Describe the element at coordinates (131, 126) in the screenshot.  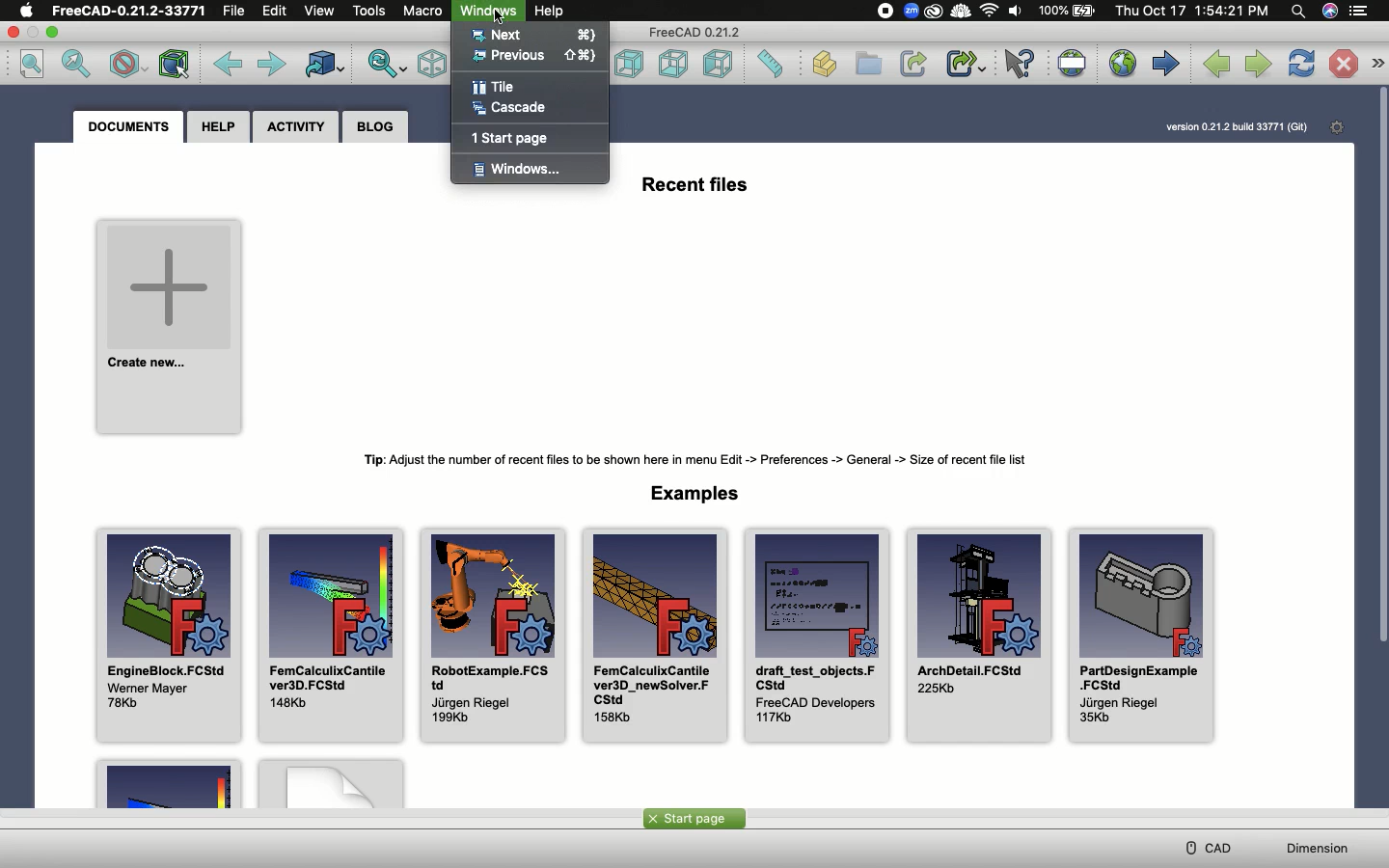
I see `Documents` at that location.